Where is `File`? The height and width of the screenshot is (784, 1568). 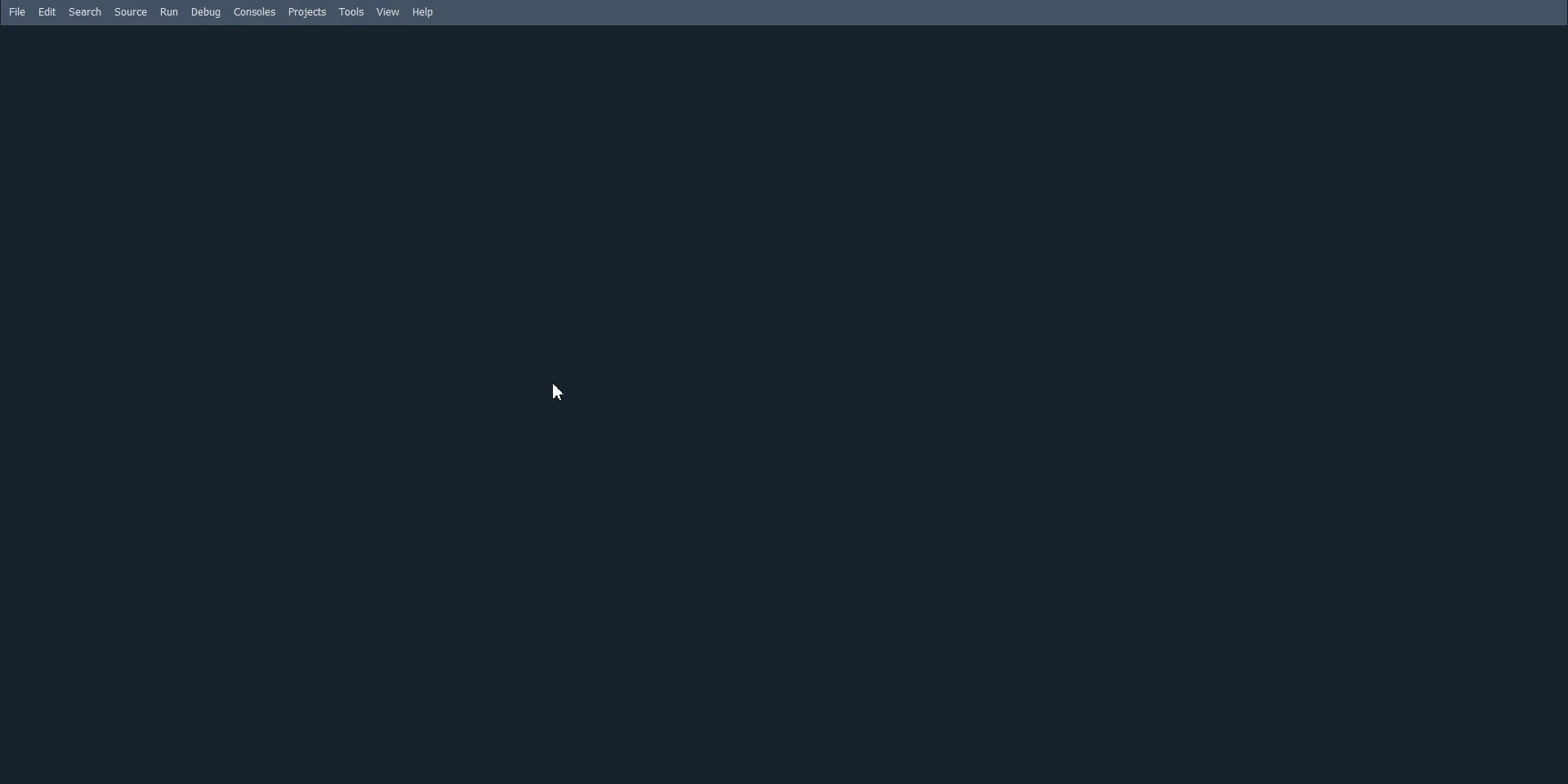 File is located at coordinates (17, 11).